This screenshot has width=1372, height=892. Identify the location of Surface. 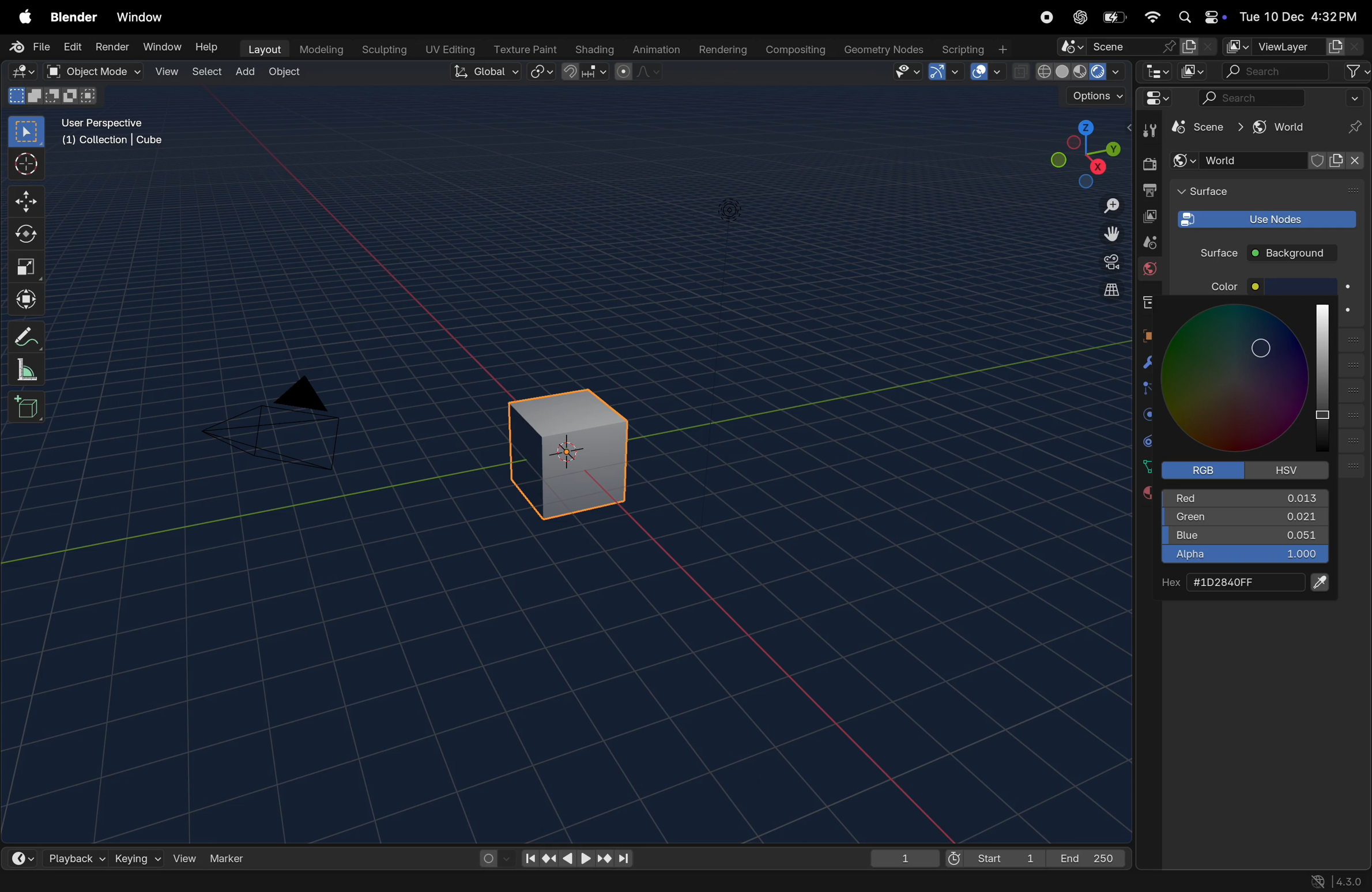
(1211, 252).